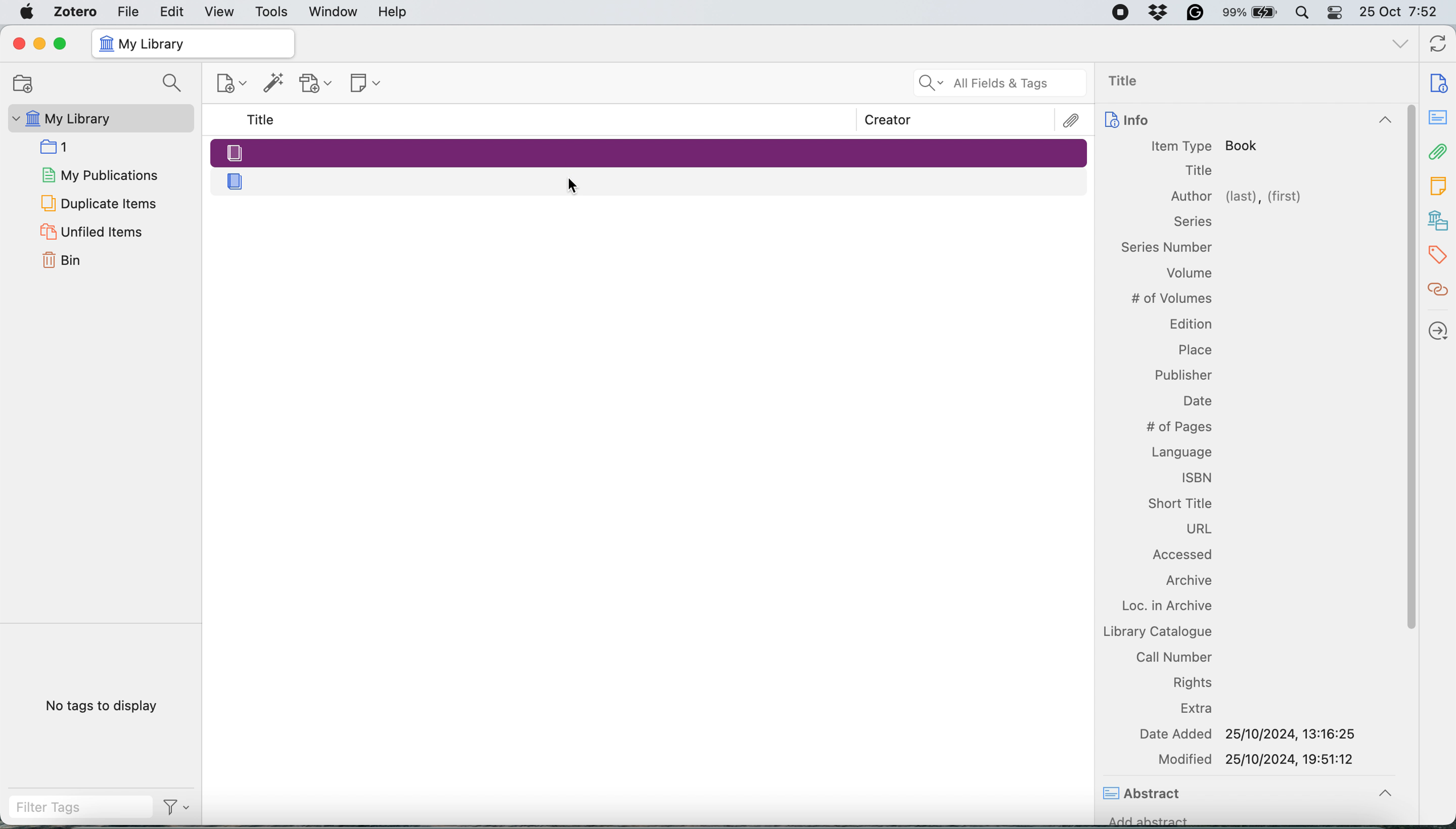  What do you see at coordinates (1145, 795) in the screenshot?
I see `Abstract` at bounding box center [1145, 795].